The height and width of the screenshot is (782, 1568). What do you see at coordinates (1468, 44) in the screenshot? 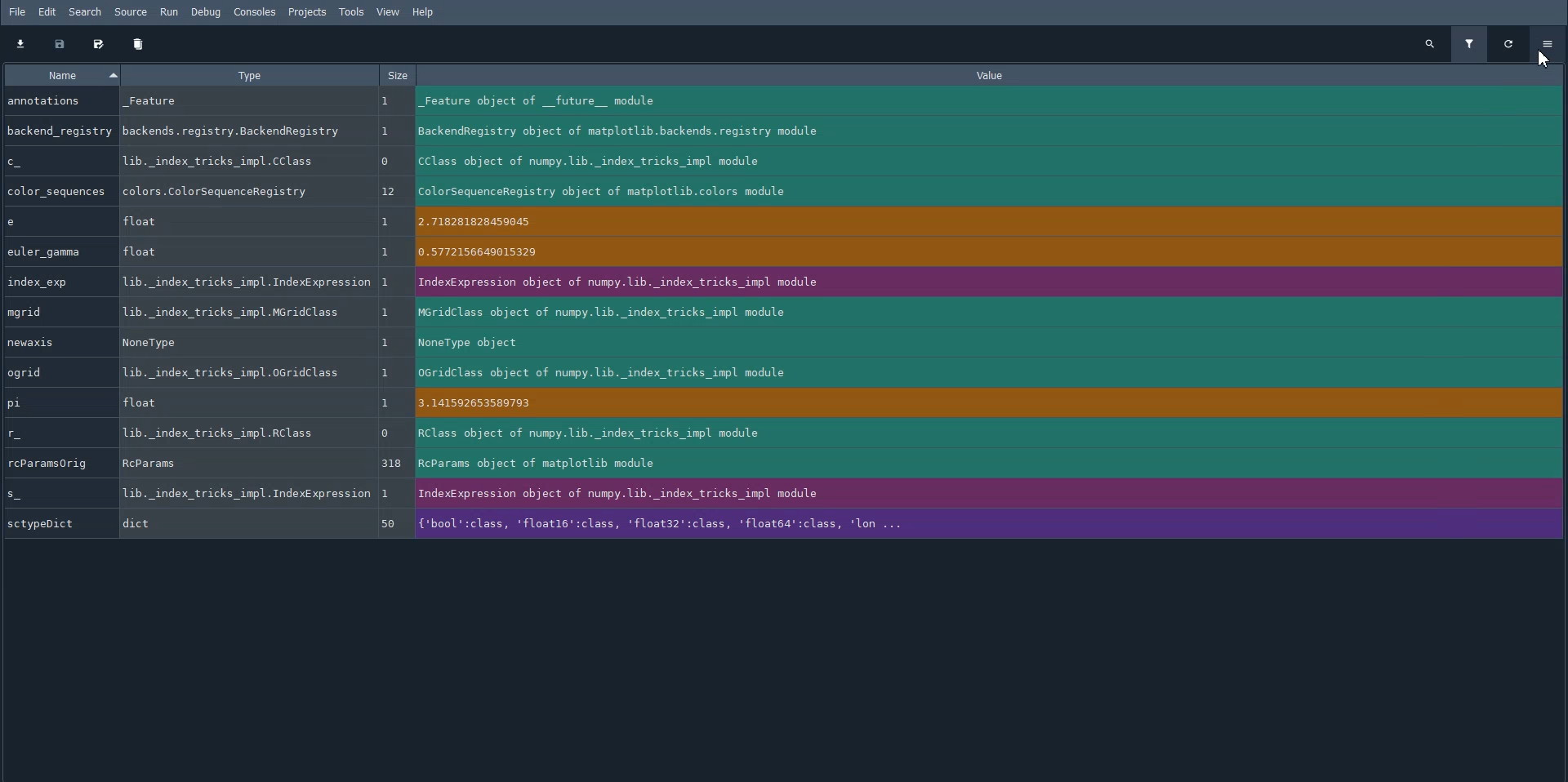
I see `Filter variables` at bounding box center [1468, 44].